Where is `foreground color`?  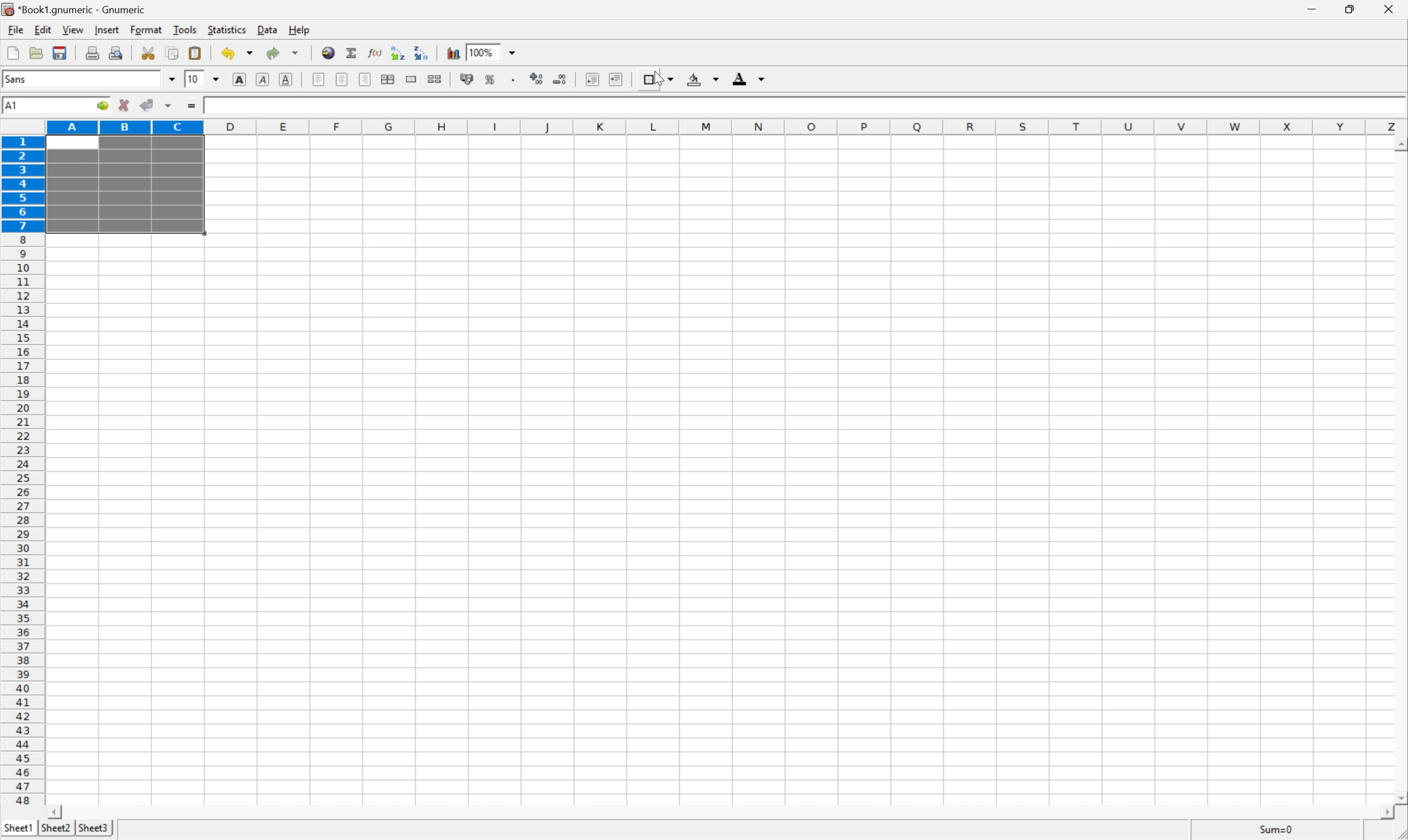 foreground color is located at coordinates (749, 78).